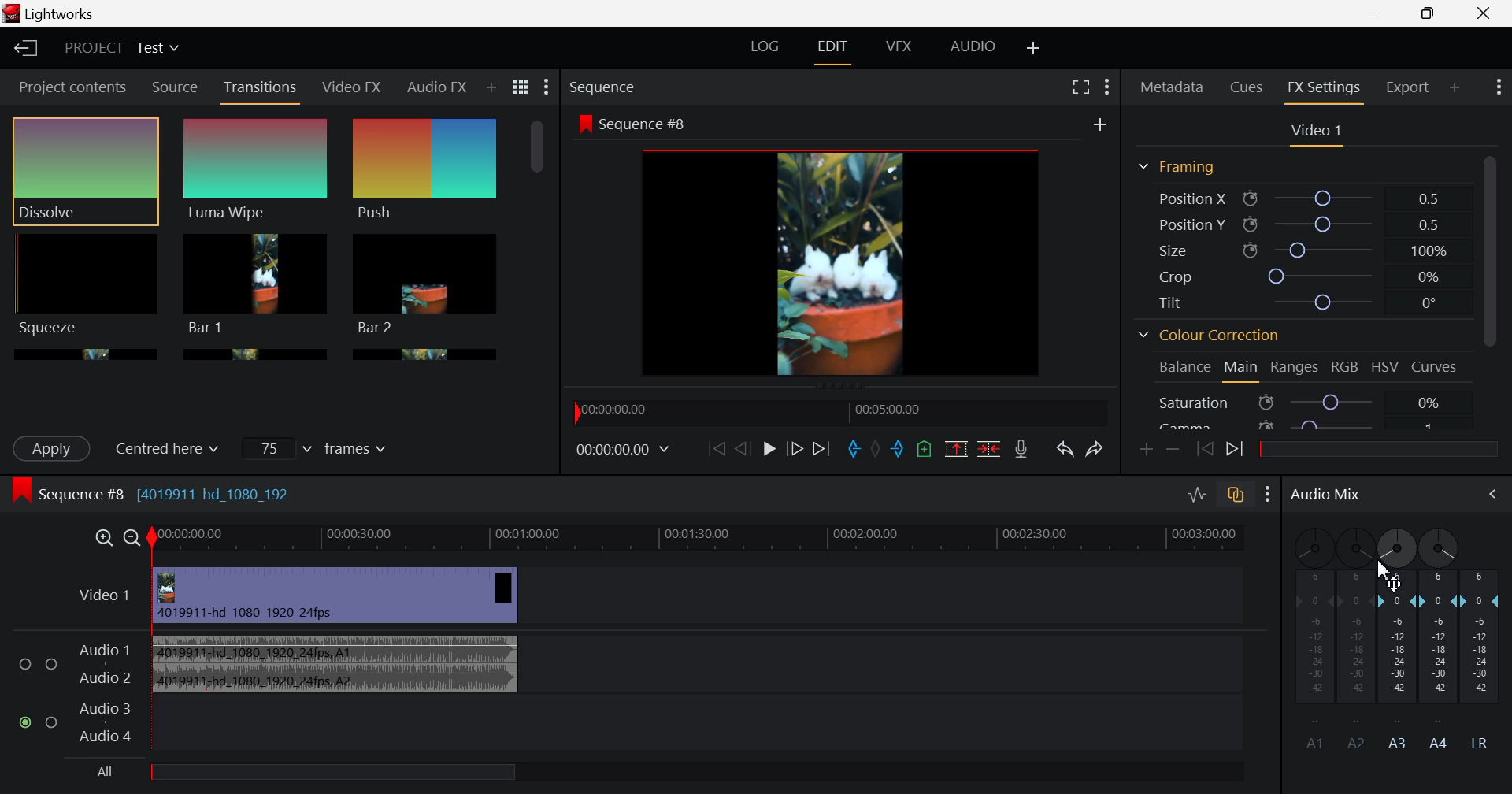  Describe the element at coordinates (309, 773) in the screenshot. I see `All` at that location.